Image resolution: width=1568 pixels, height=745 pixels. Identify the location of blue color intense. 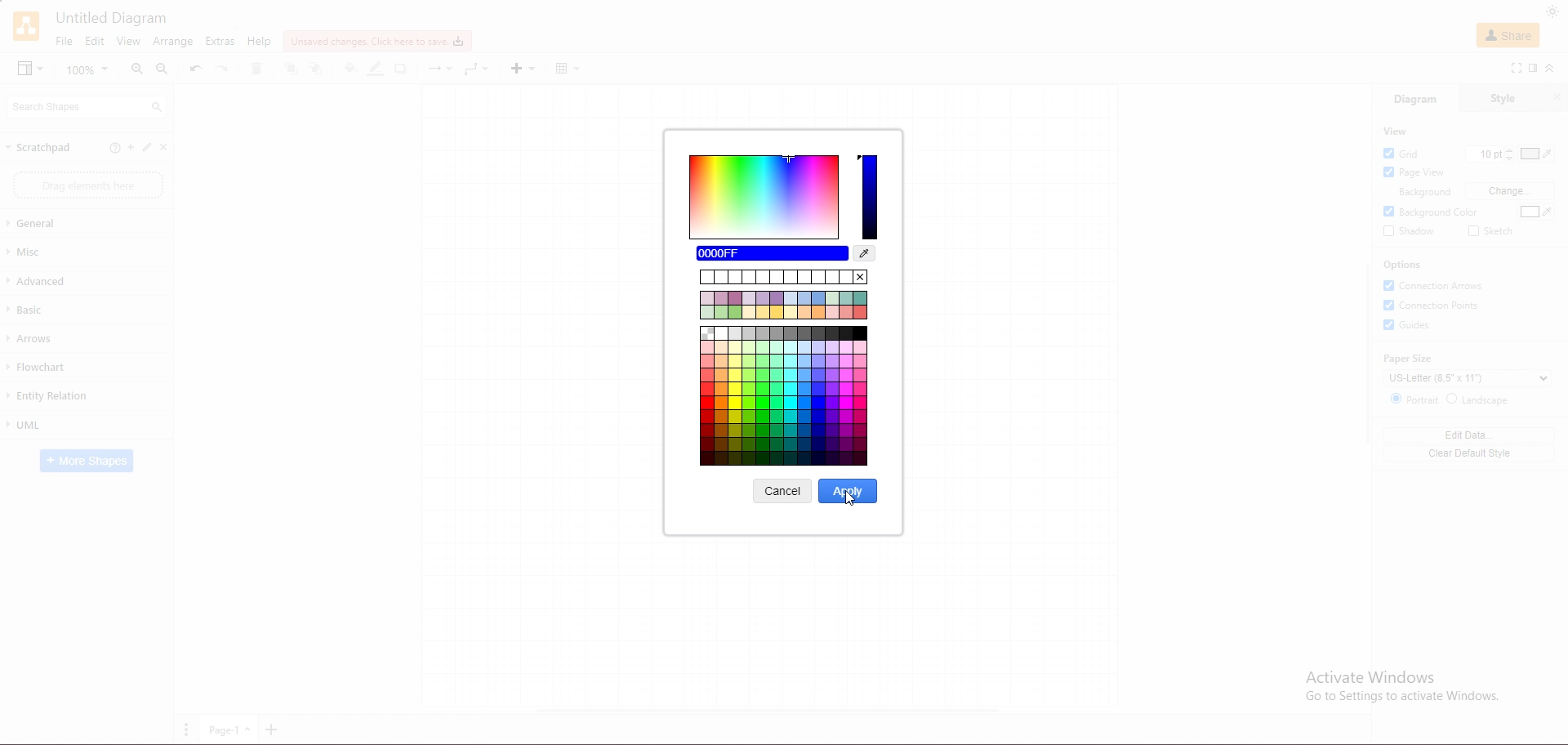
(869, 198).